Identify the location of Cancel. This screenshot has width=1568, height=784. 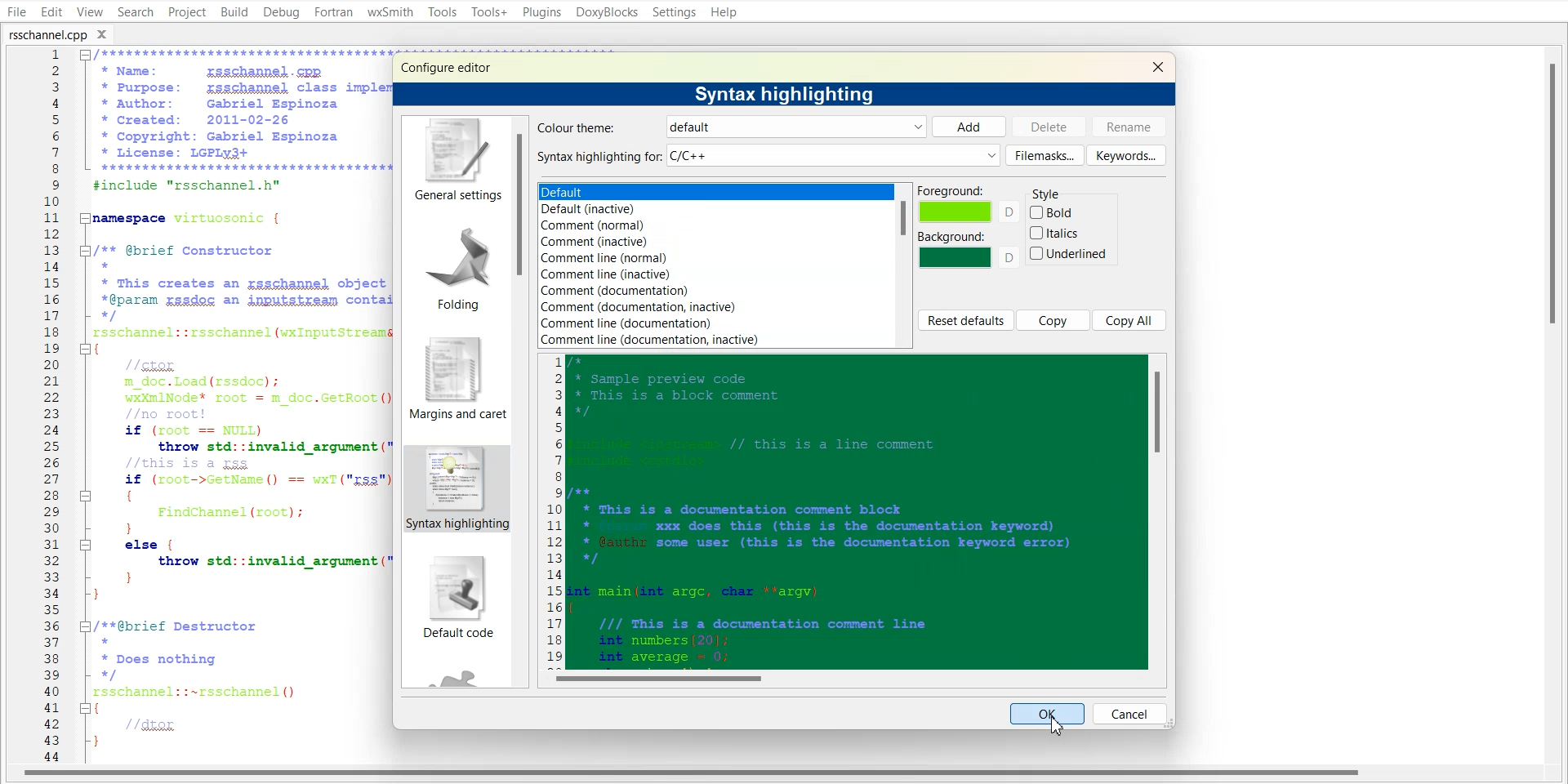
(1129, 713).